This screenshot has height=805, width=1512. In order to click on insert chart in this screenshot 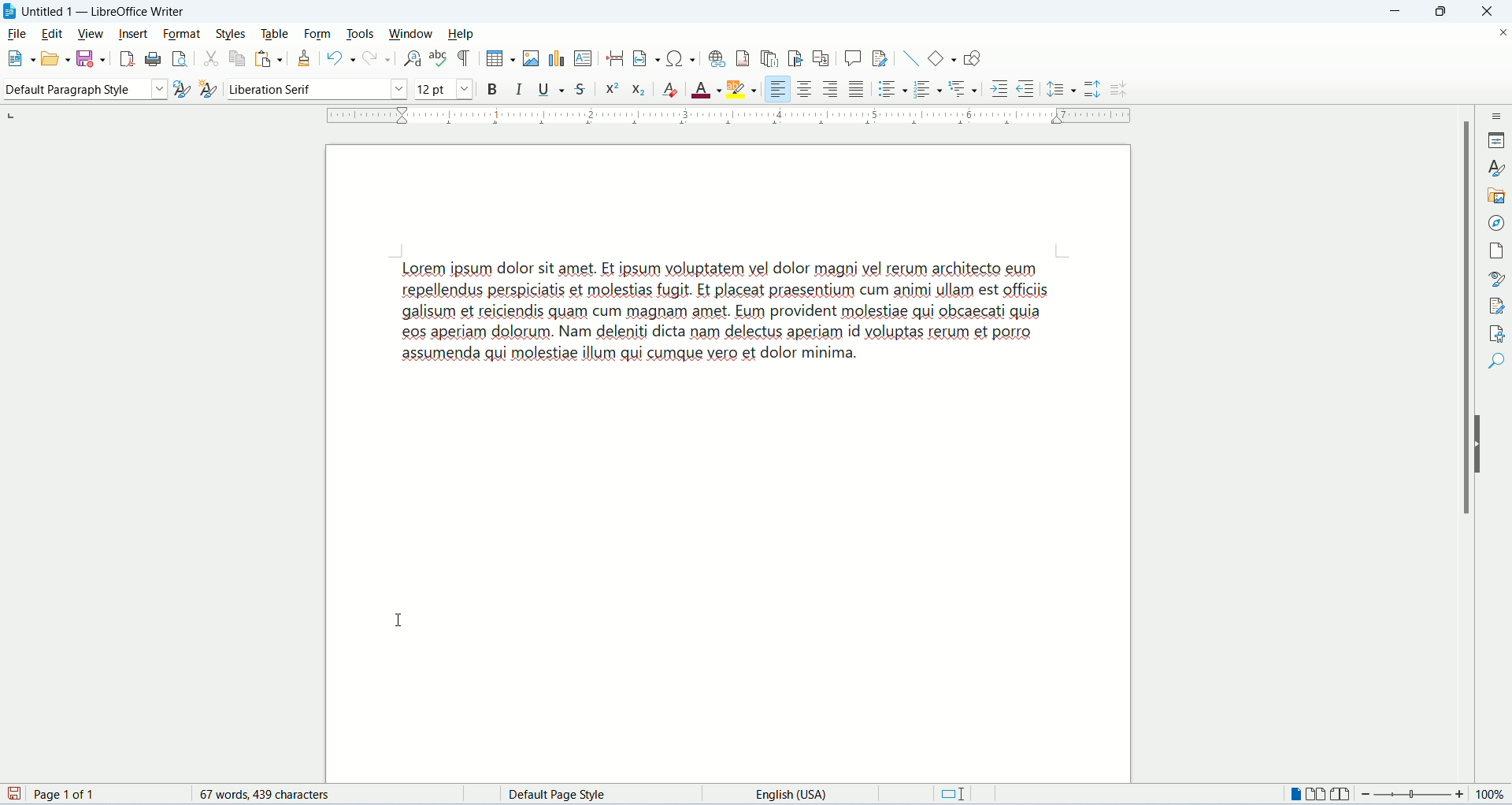, I will do `click(556, 58)`.